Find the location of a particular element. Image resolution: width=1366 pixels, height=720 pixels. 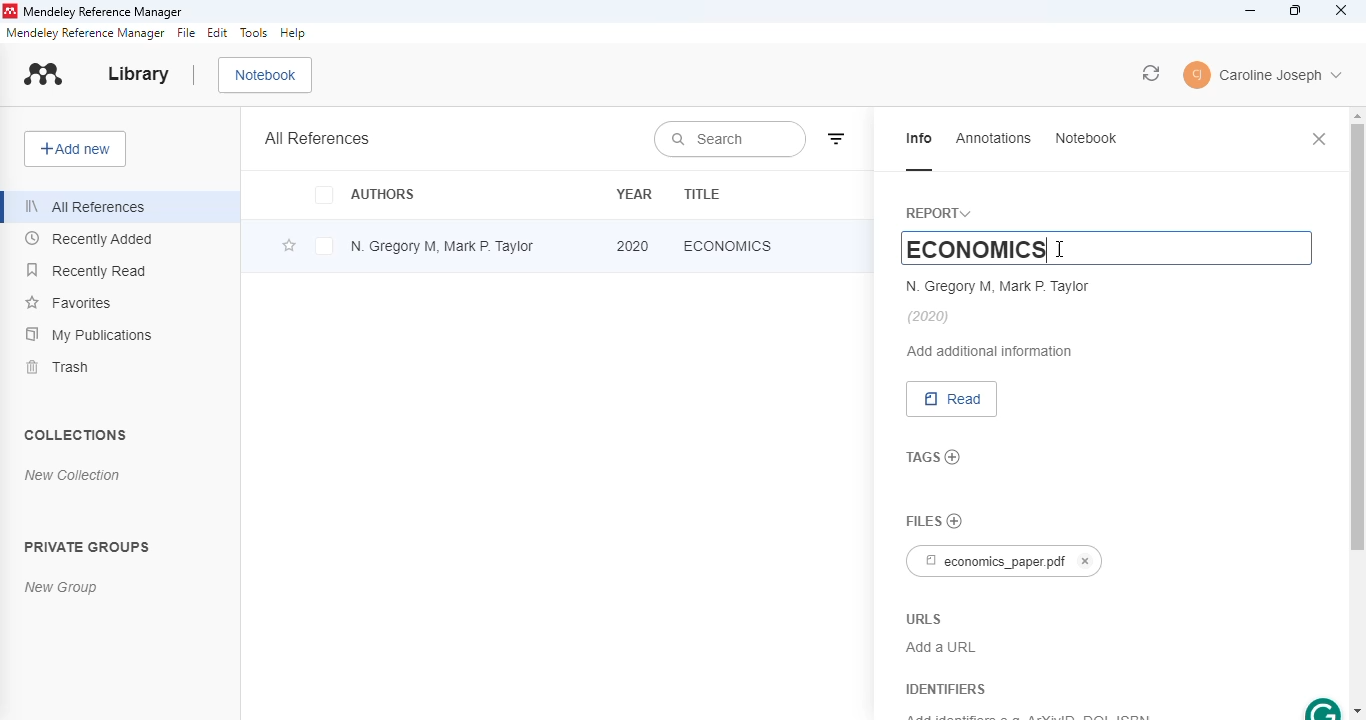

close is located at coordinates (1320, 138).